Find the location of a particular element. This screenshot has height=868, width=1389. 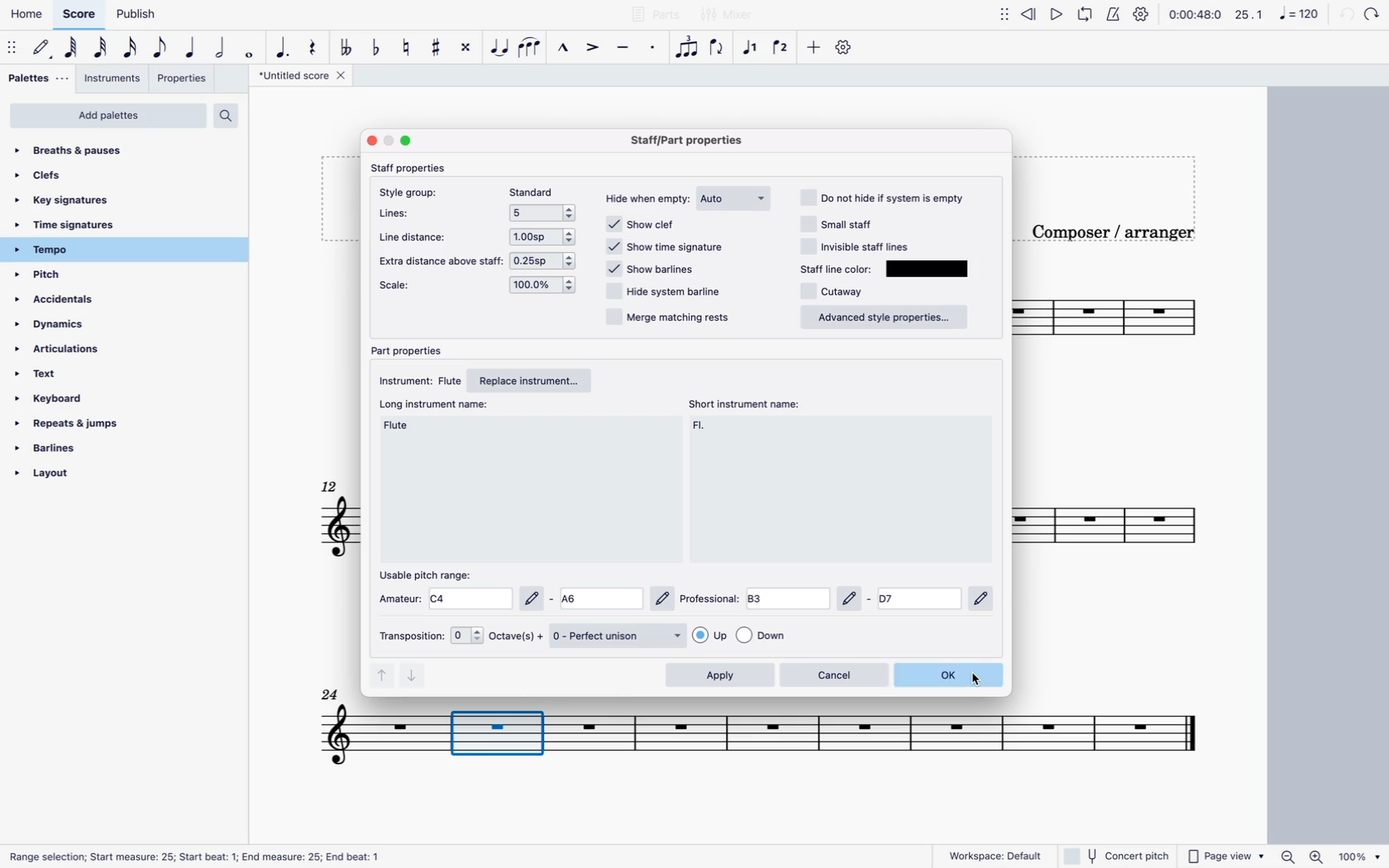

options is located at coordinates (753, 635).